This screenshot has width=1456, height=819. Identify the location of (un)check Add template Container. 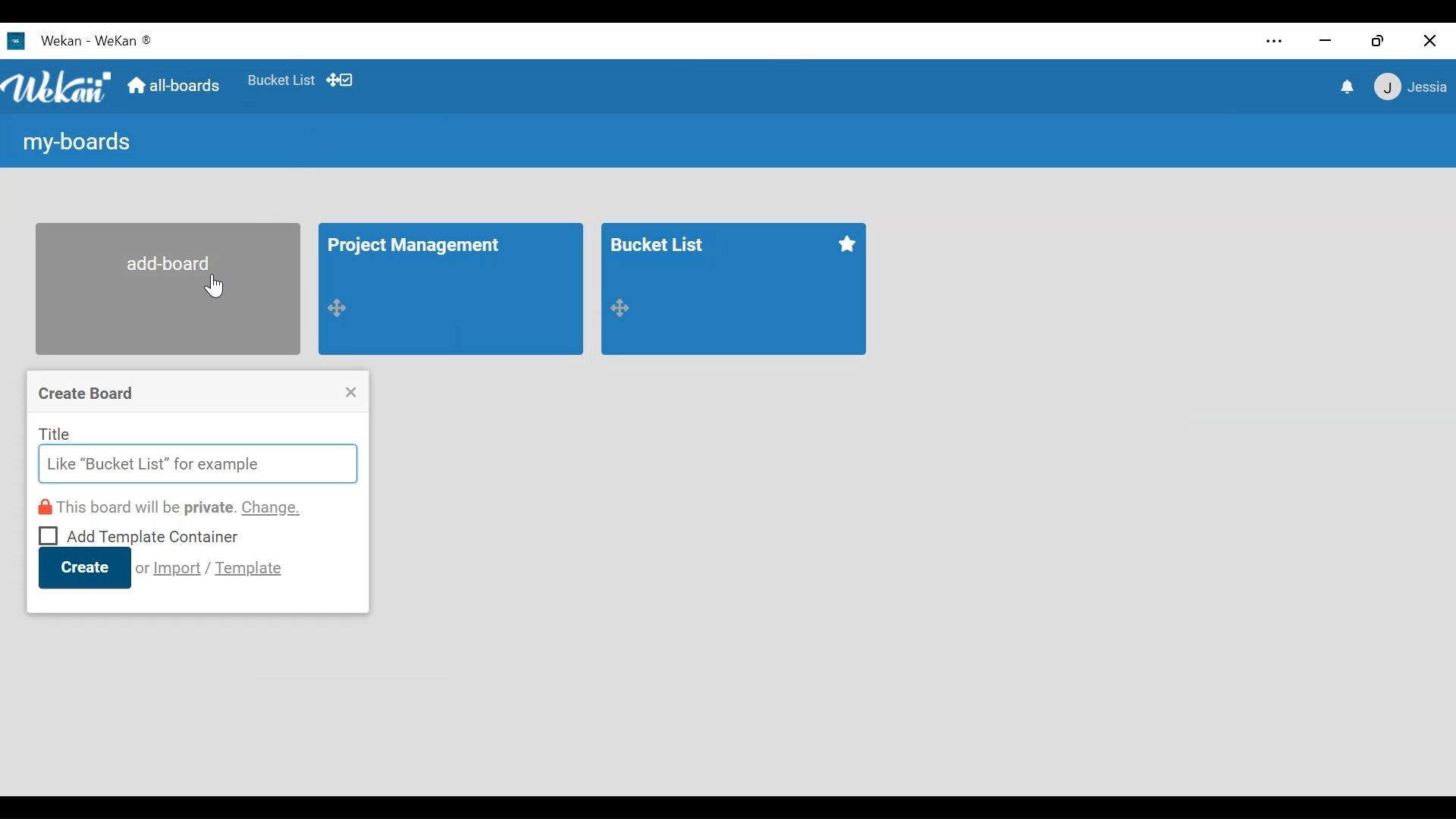
(140, 534).